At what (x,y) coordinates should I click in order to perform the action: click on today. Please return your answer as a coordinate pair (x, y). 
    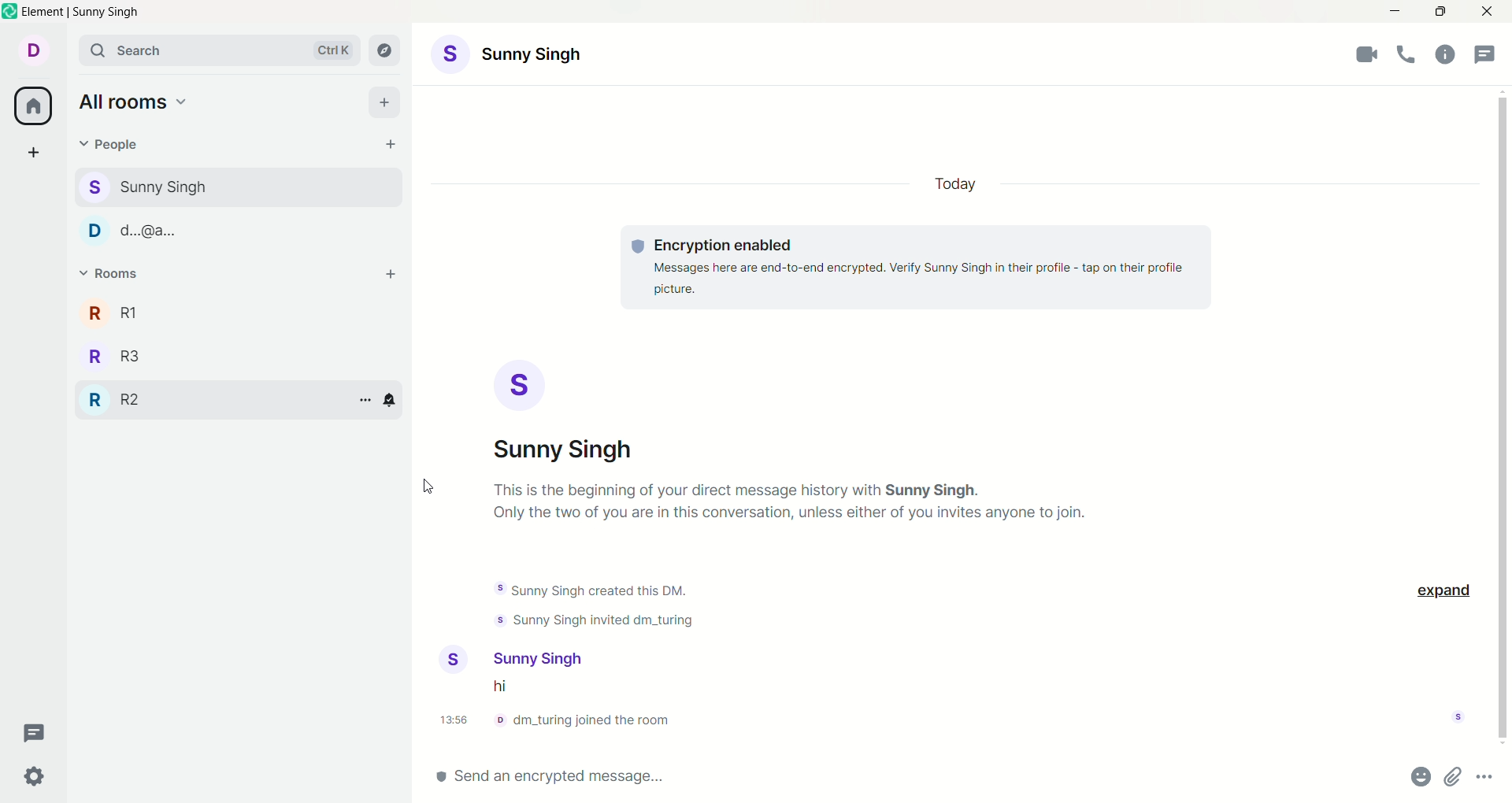
    Looking at the image, I should click on (962, 186).